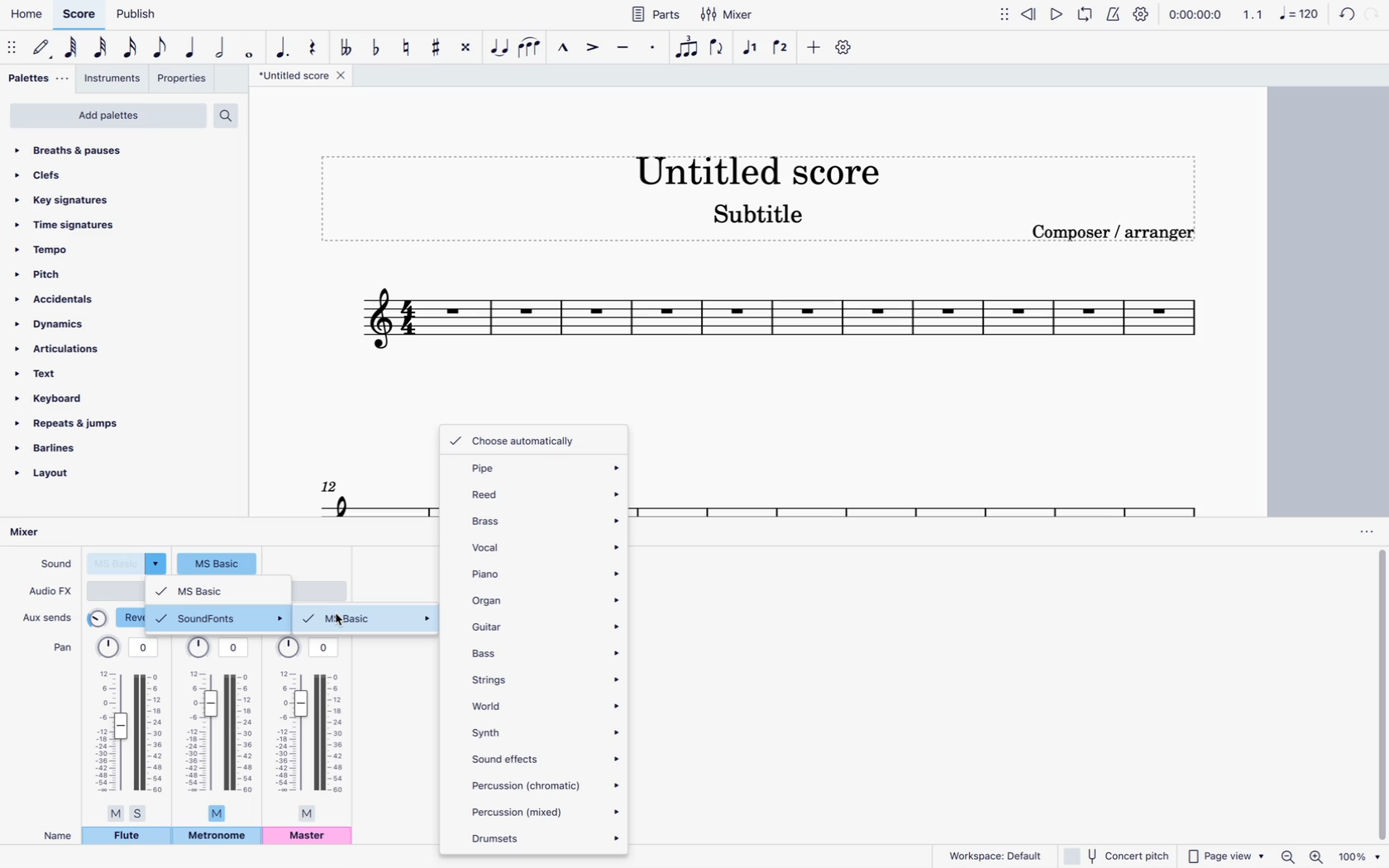 This screenshot has width=1389, height=868. I want to click on vocal, so click(546, 545).